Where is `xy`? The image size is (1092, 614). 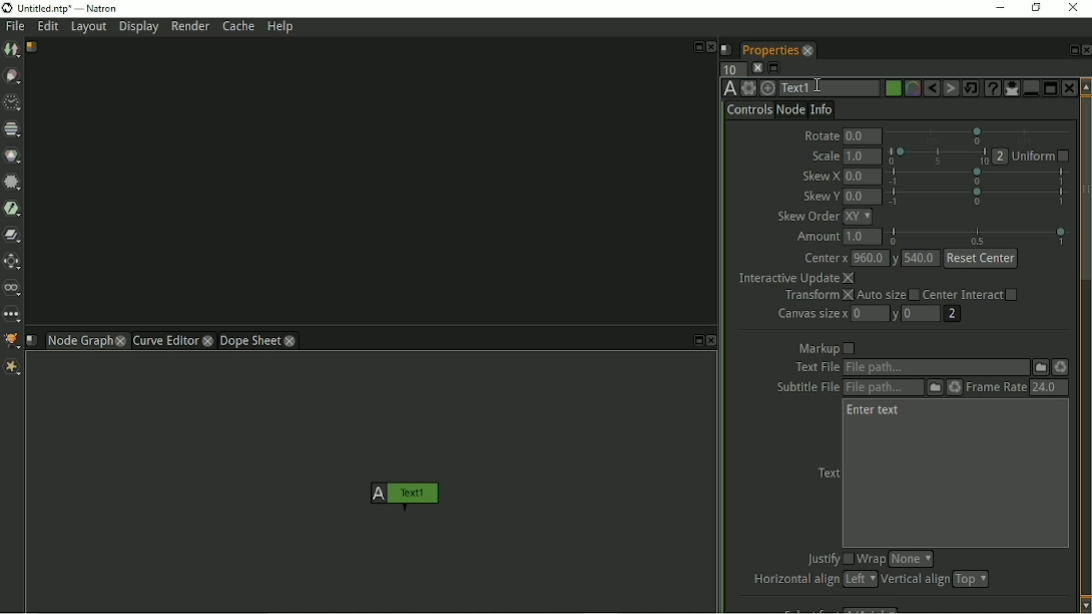
xy is located at coordinates (858, 217).